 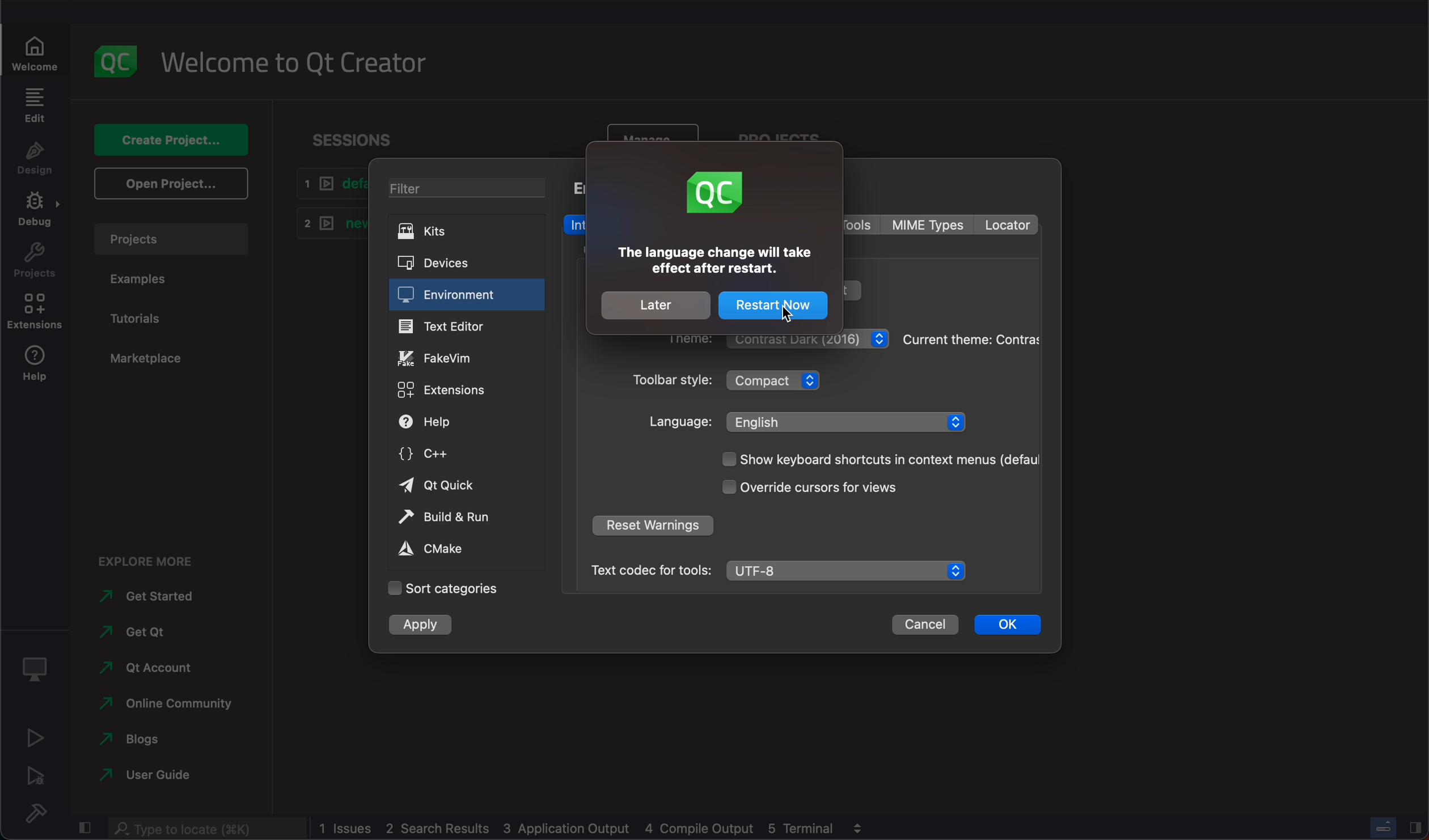 I want to click on new1, so click(x=330, y=225).